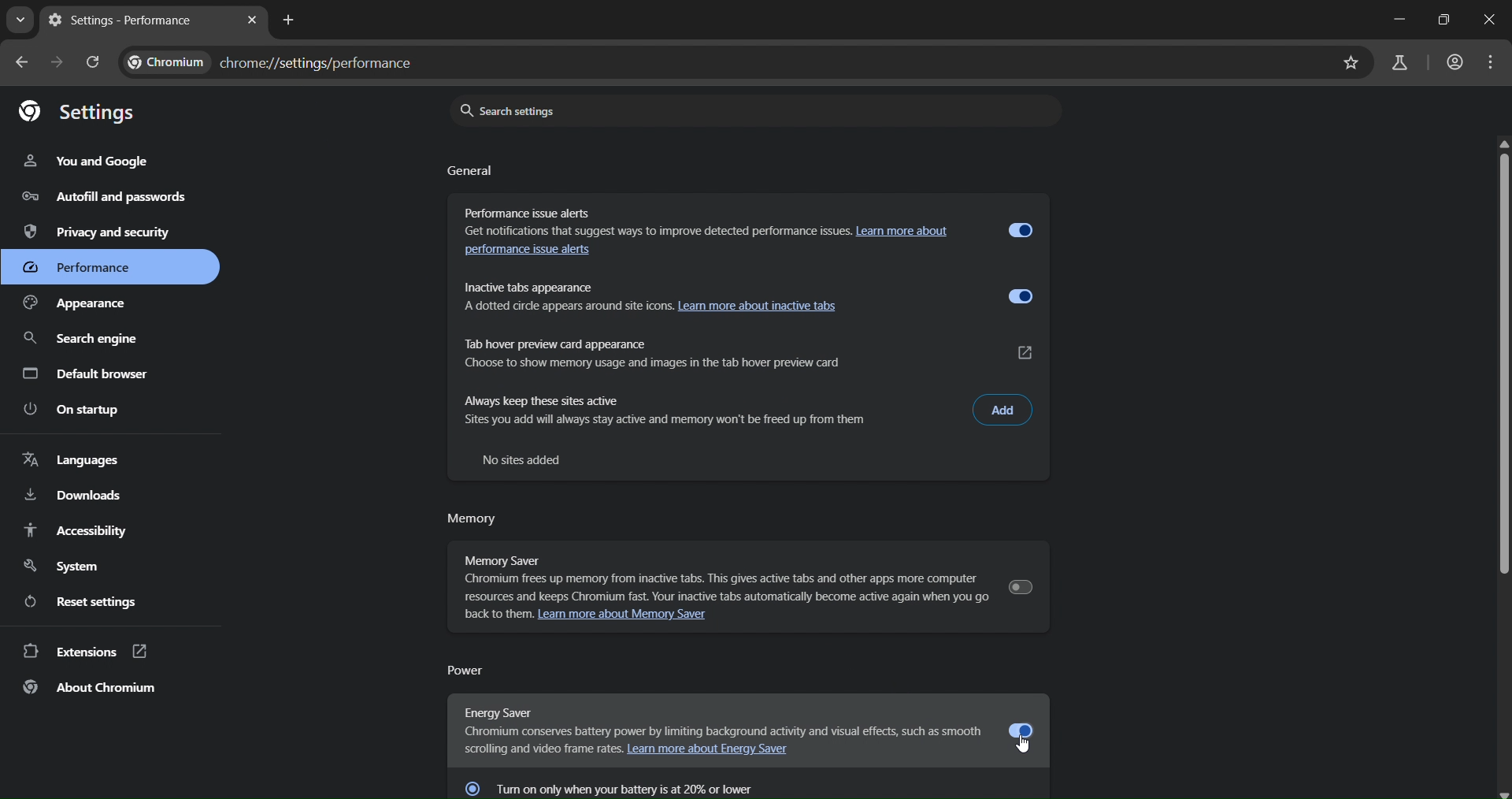 This screenshot has height=799, width=1512. I want to click on link, so click(1027, 352).